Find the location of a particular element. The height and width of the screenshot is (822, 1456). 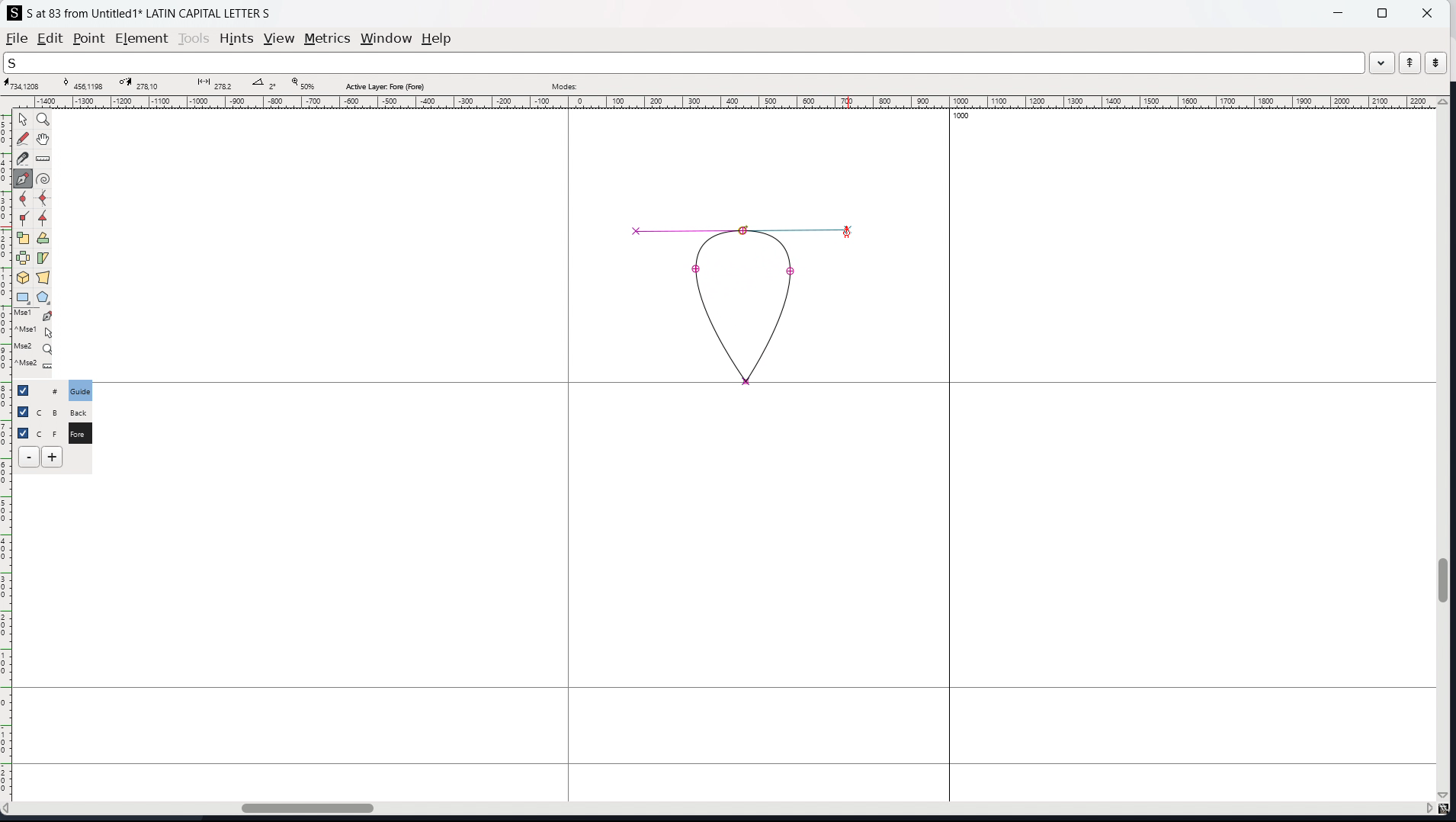

previous word in the wordlist is located at coordinates (1410, 63).